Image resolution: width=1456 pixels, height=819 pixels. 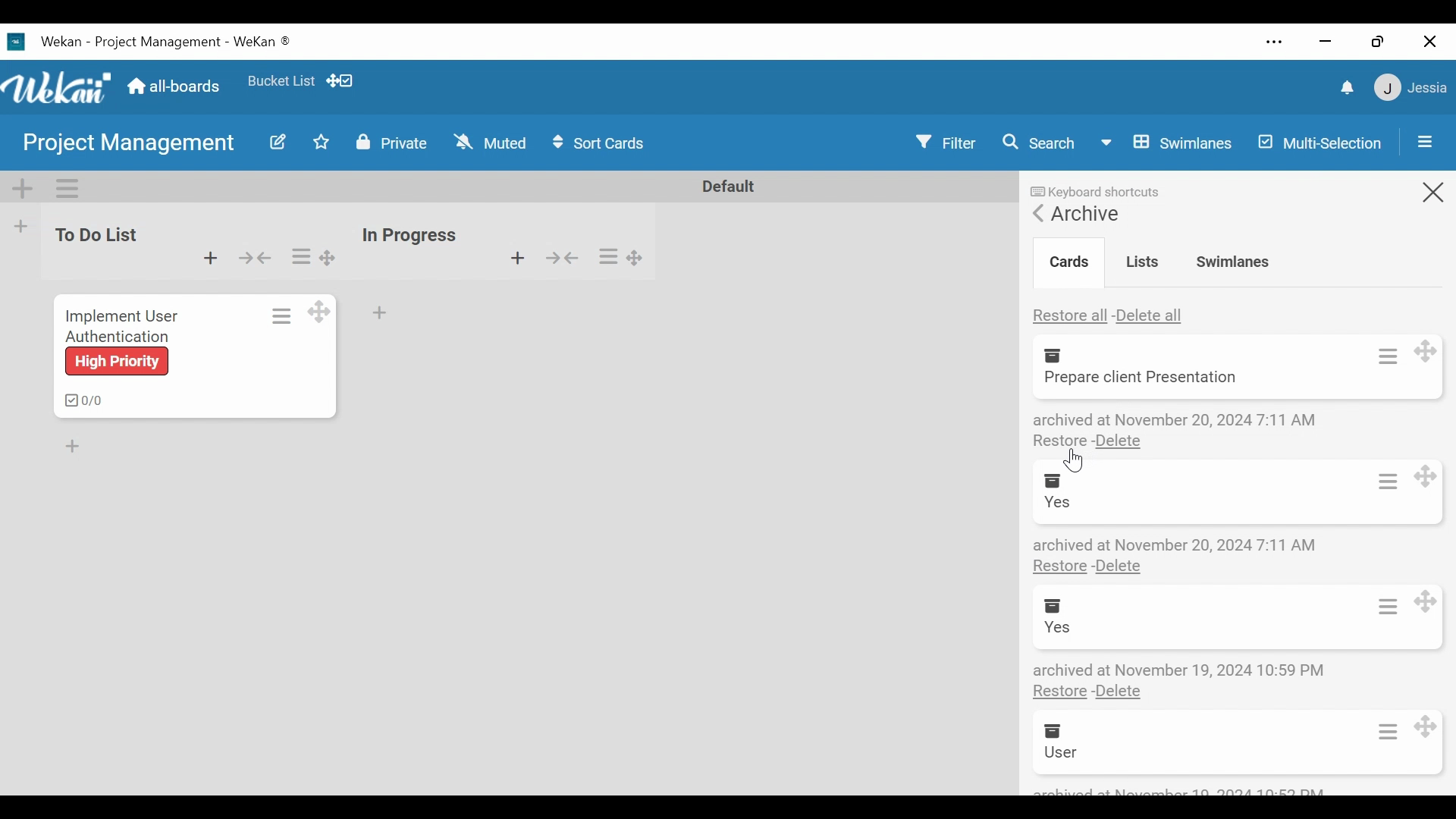 I want to click on Archive Box , so click(x=1063, y=480).